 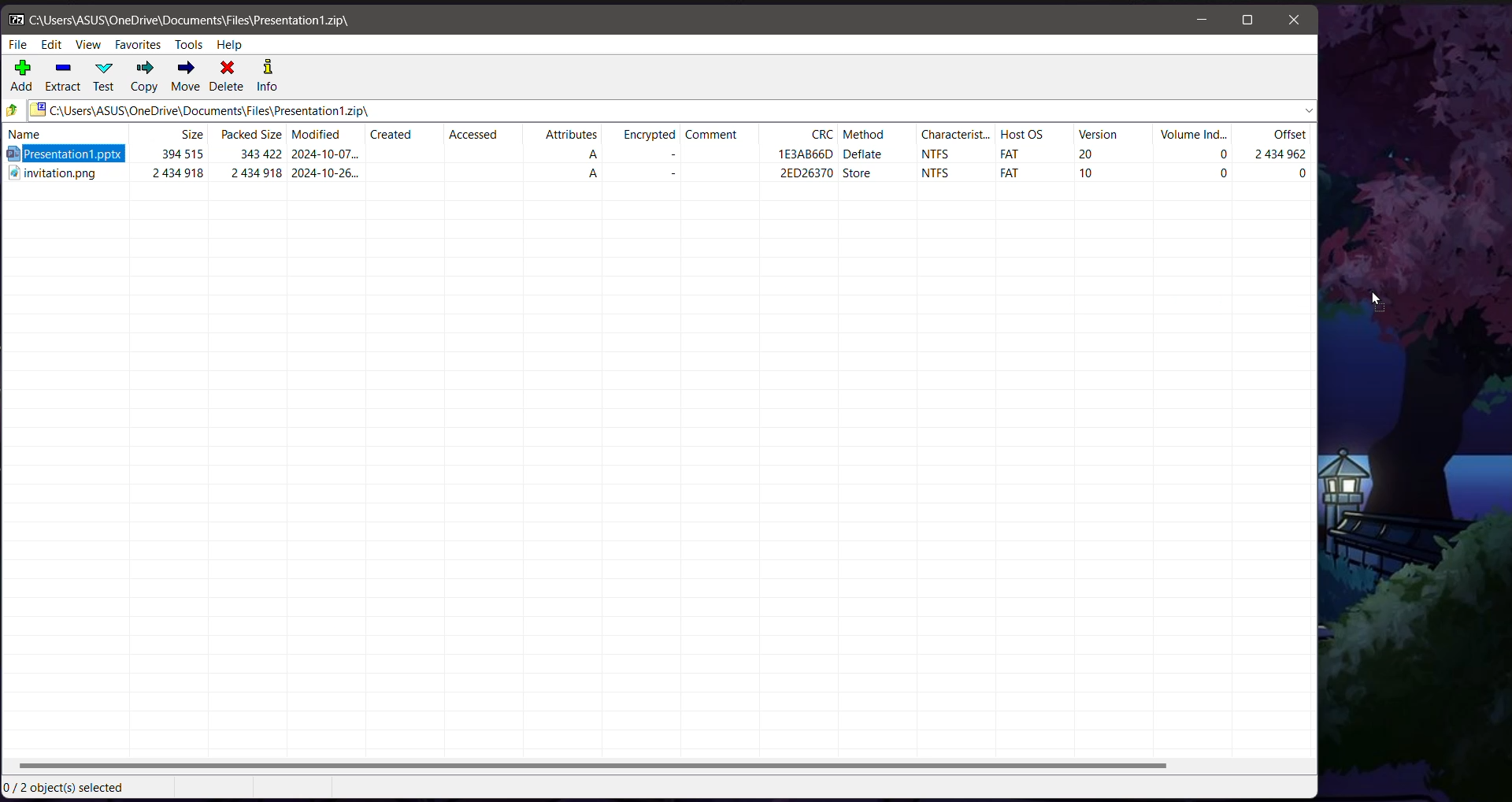 I want to click on Info, so click(x=268, y=76).